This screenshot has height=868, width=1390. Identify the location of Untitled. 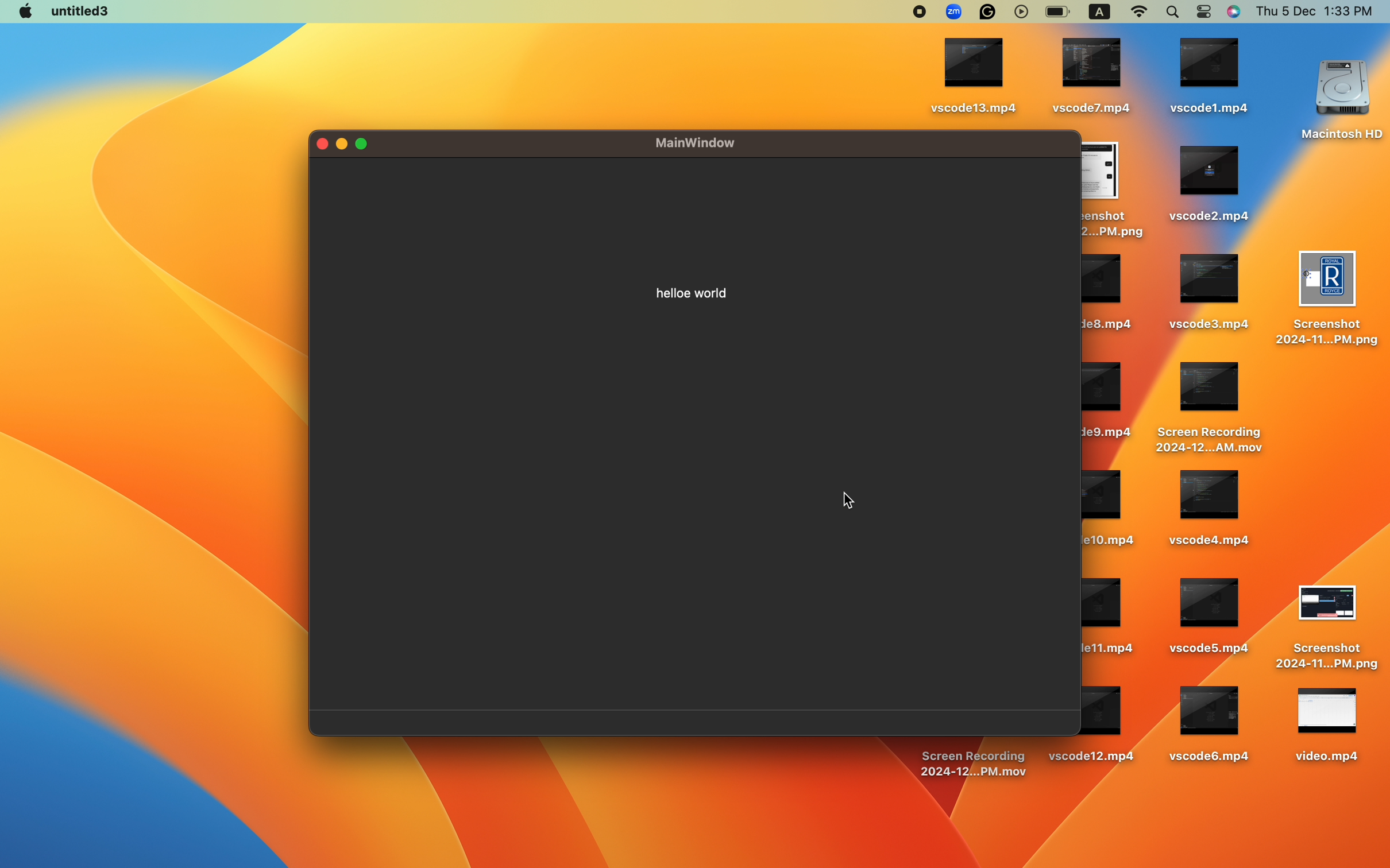
(68, 10).